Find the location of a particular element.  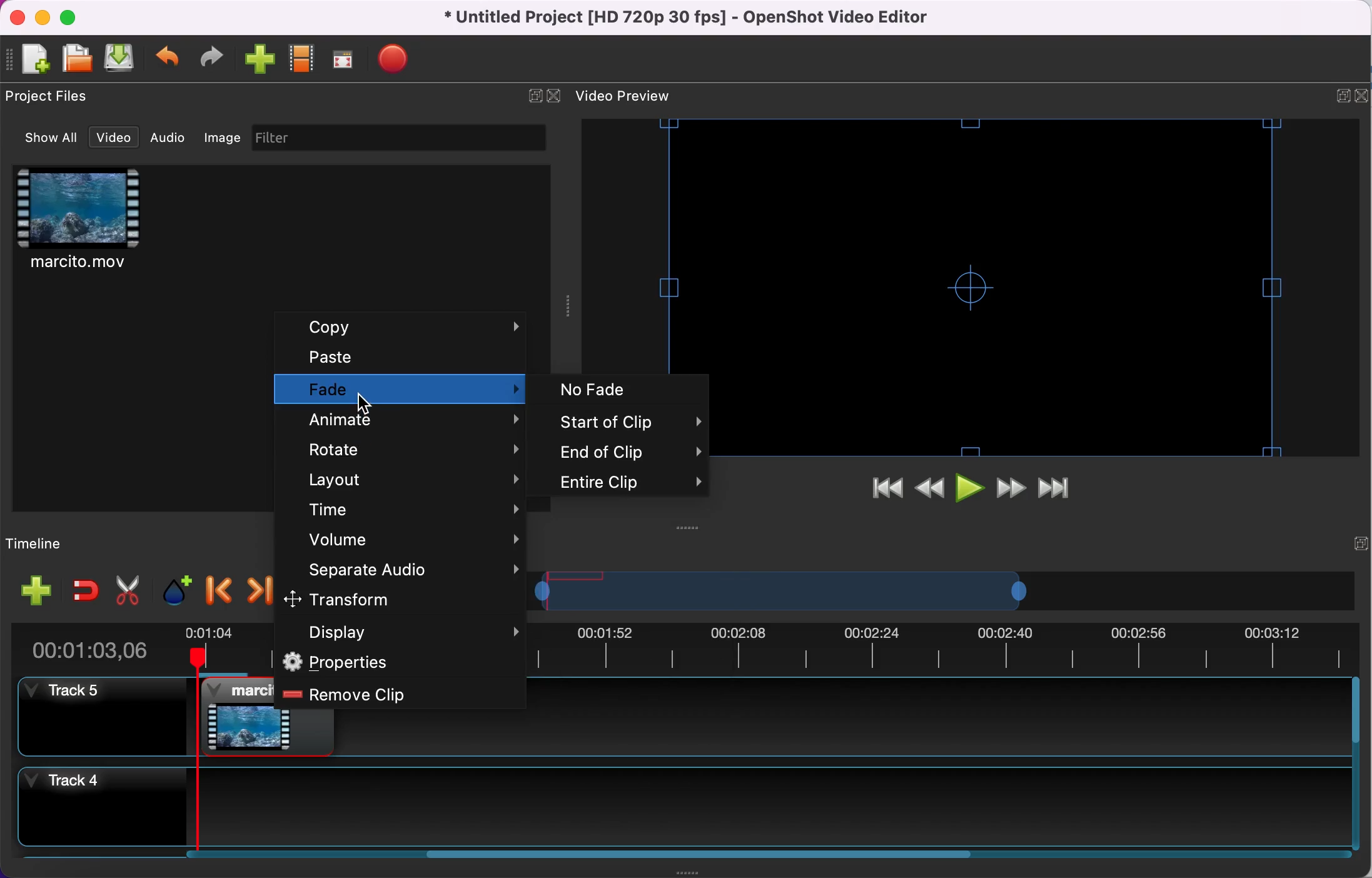

entire clip is located at coordinates (636, 479).